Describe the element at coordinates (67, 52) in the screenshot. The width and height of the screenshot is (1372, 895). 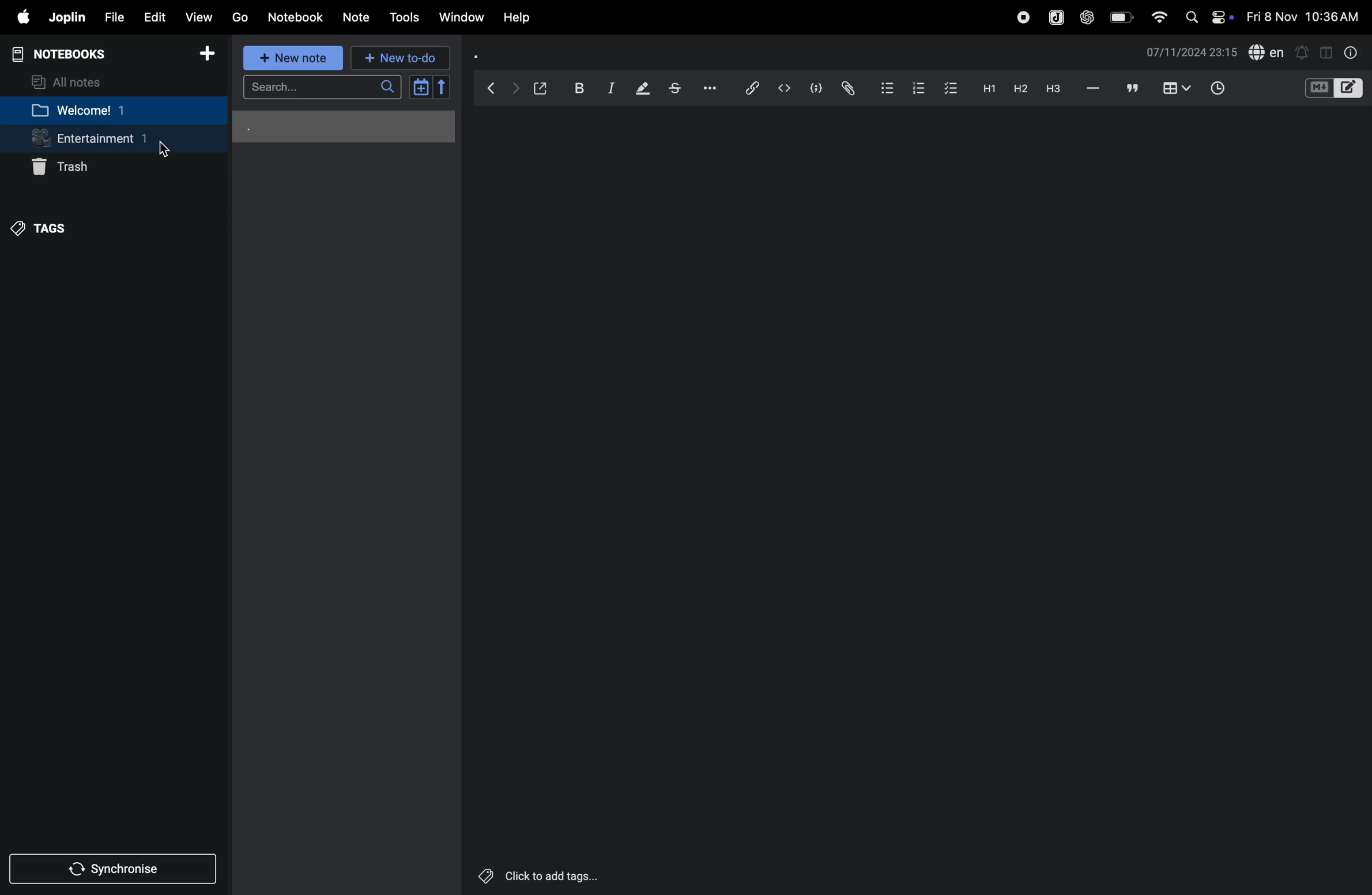
I see `notebooks` at that location.